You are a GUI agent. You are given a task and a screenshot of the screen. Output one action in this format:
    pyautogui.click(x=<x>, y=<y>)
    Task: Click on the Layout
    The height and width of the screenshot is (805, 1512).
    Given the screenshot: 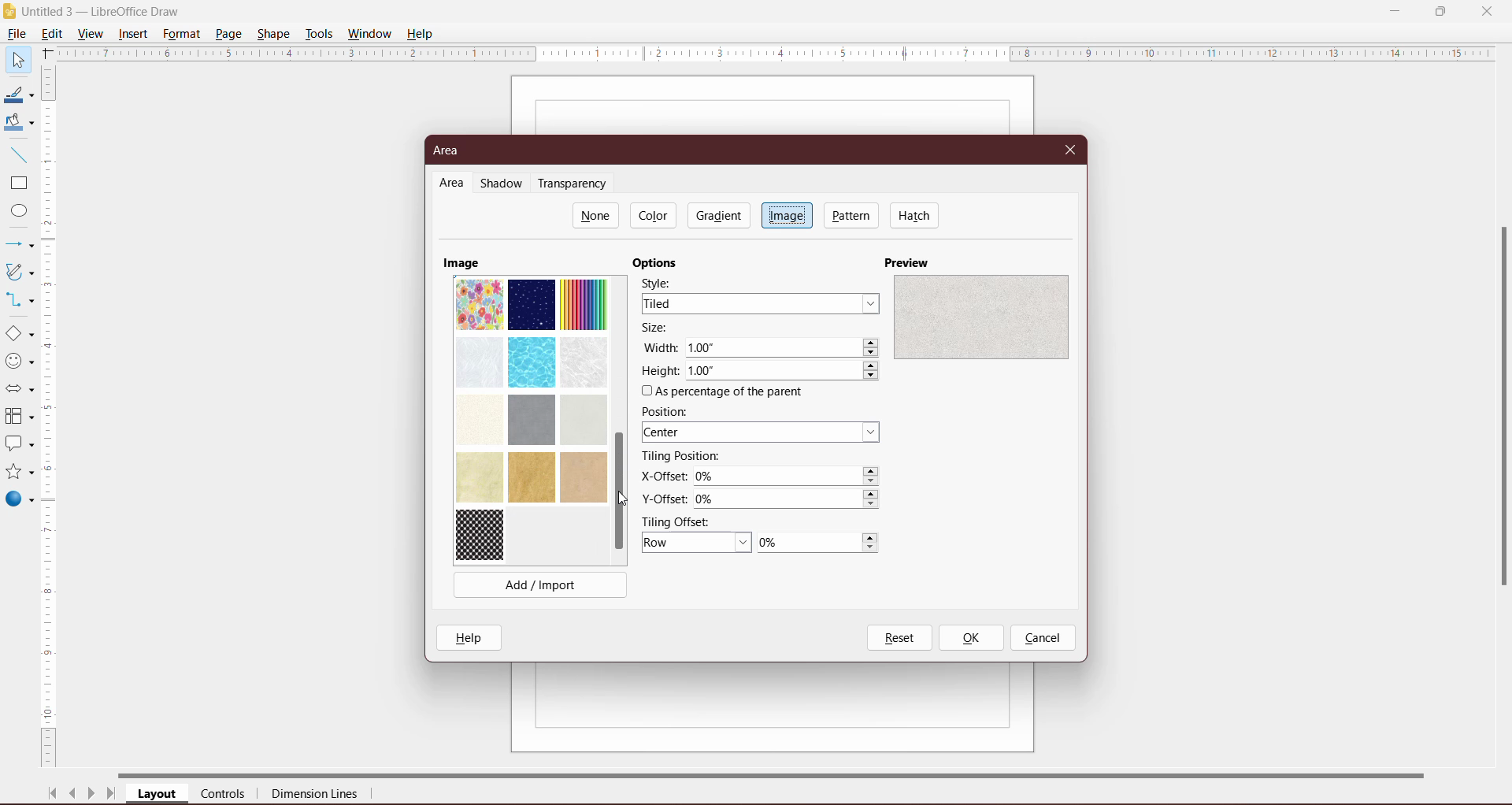 What is the action you would take?
    pyautogui.click(x=158, y=795)
    